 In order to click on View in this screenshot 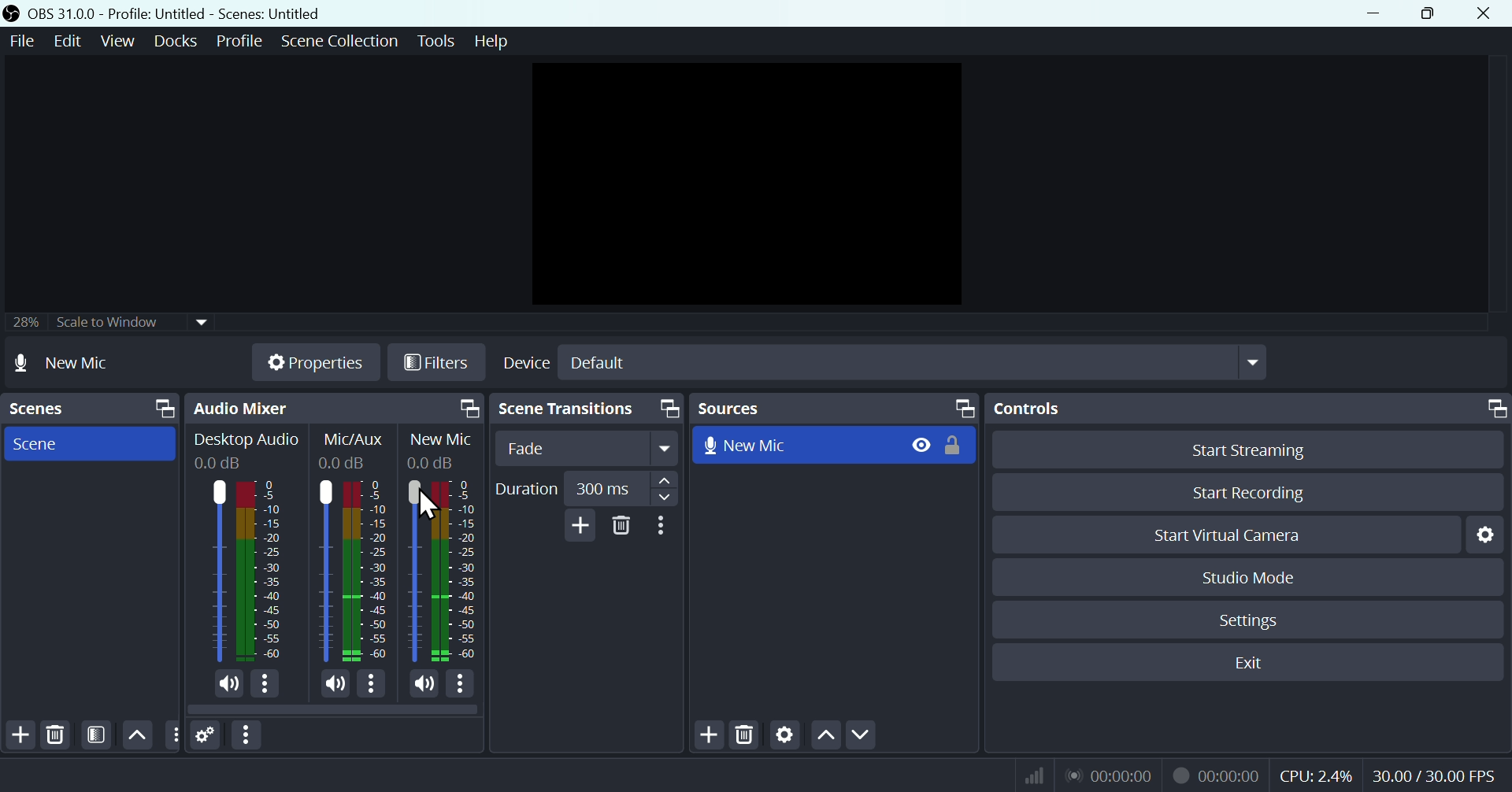, I will do `click(120, 41)`.